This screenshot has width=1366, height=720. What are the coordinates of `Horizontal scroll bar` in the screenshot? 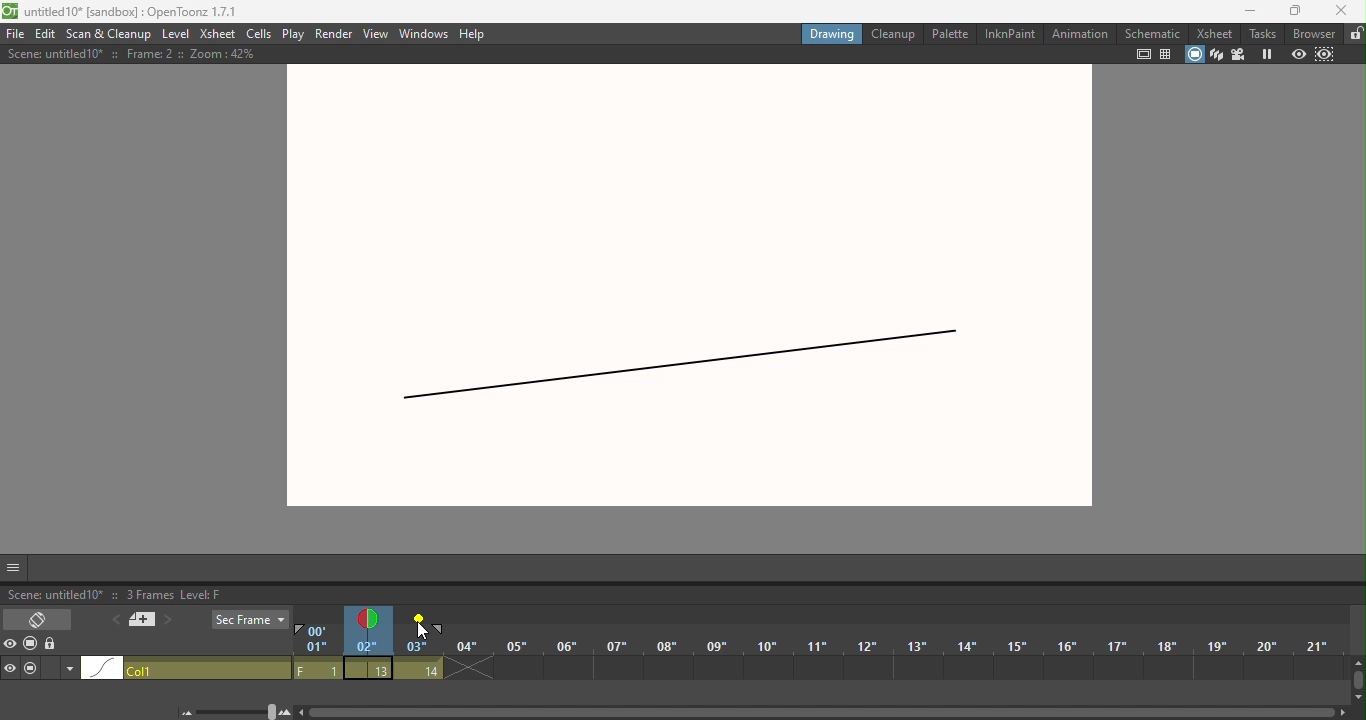 It's located at (823, 711).